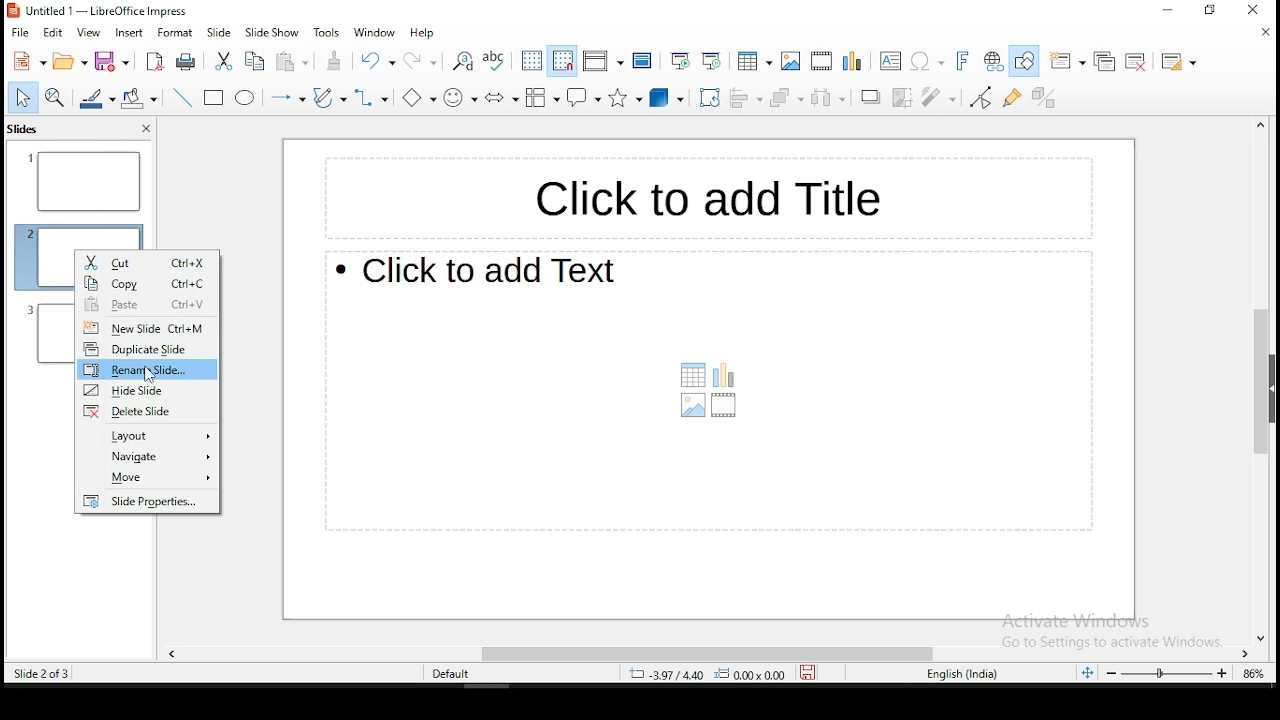 The image size is (1280, 720). I want to click on icon and file name, so click(97, 12).